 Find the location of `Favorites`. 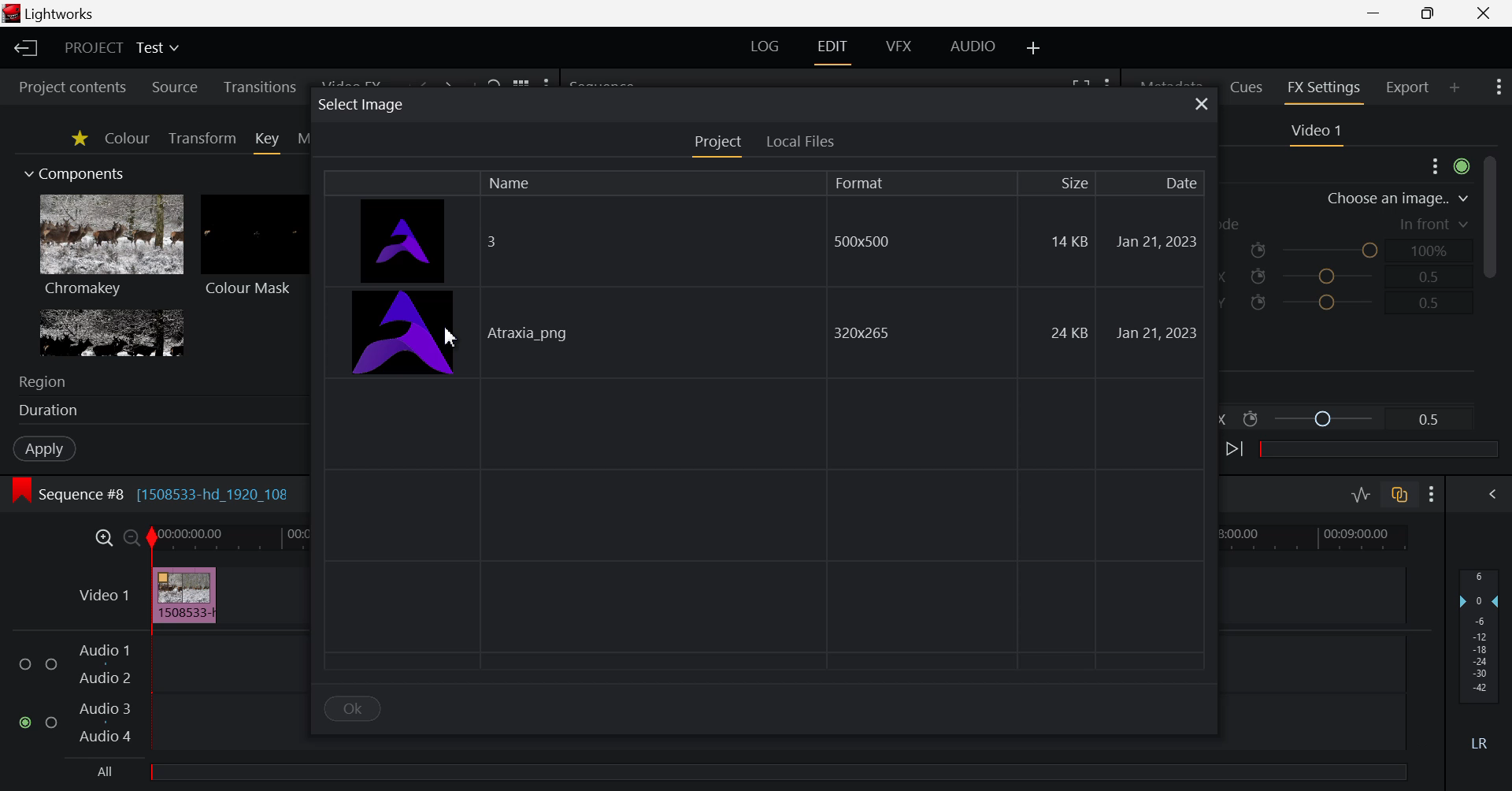

Favorites is located at coordinates (80, 141).